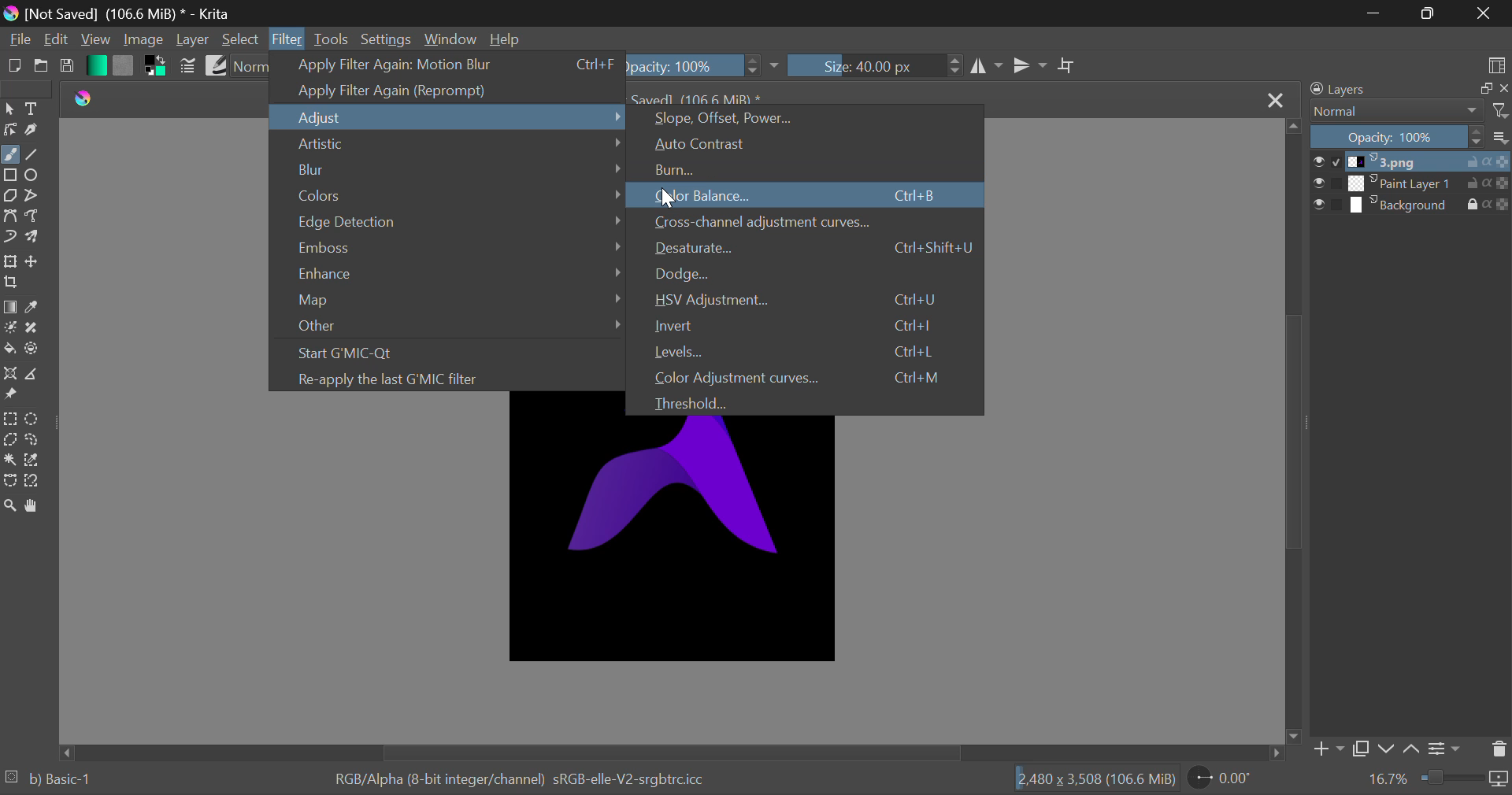  What do you see at coordinates (193, 41) in the screenshot?
I see `Layer` at bounding box center [193, 41].